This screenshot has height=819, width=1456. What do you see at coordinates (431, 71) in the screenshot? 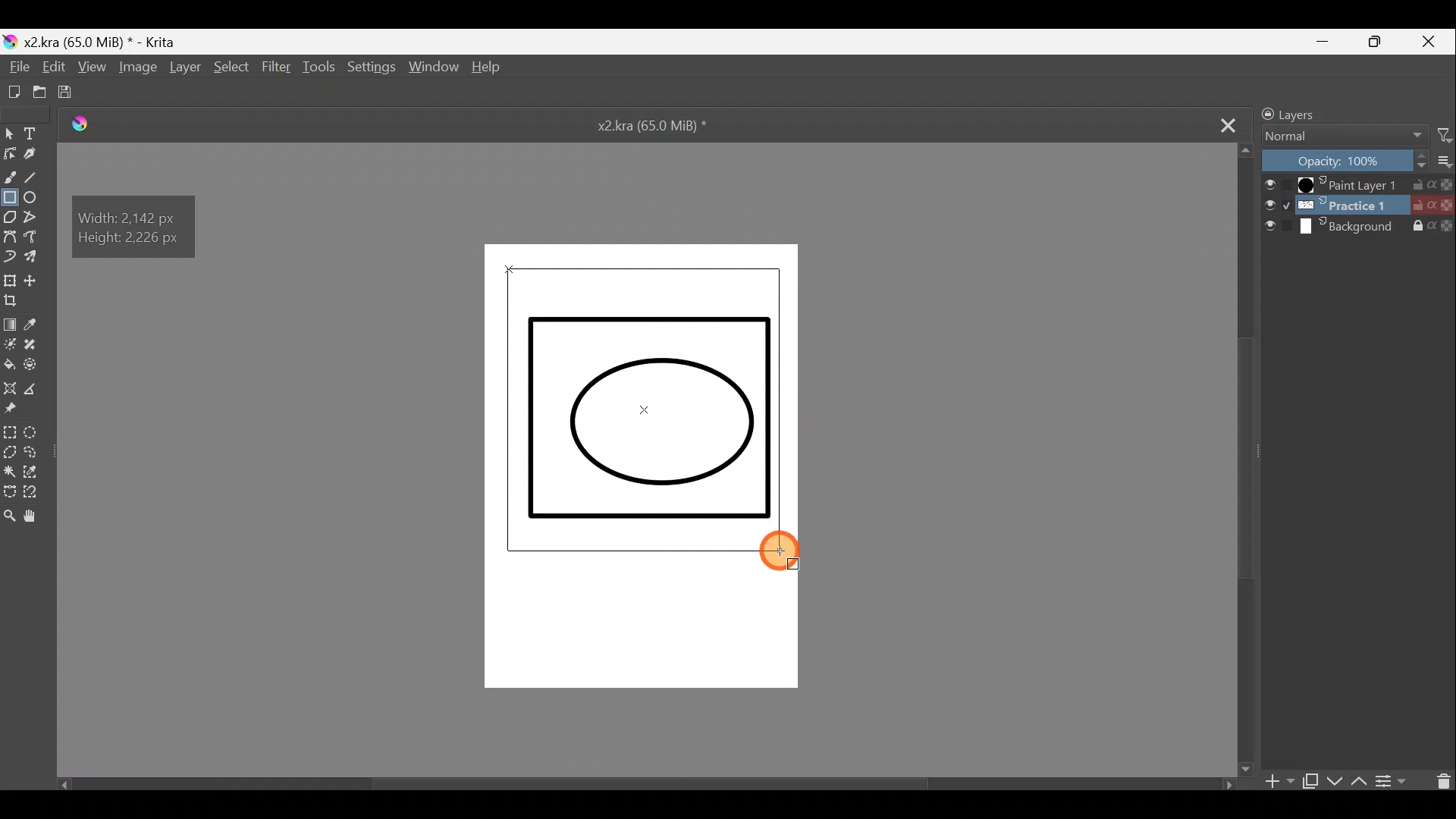
I see `Window` at bounding box center [431, 71].